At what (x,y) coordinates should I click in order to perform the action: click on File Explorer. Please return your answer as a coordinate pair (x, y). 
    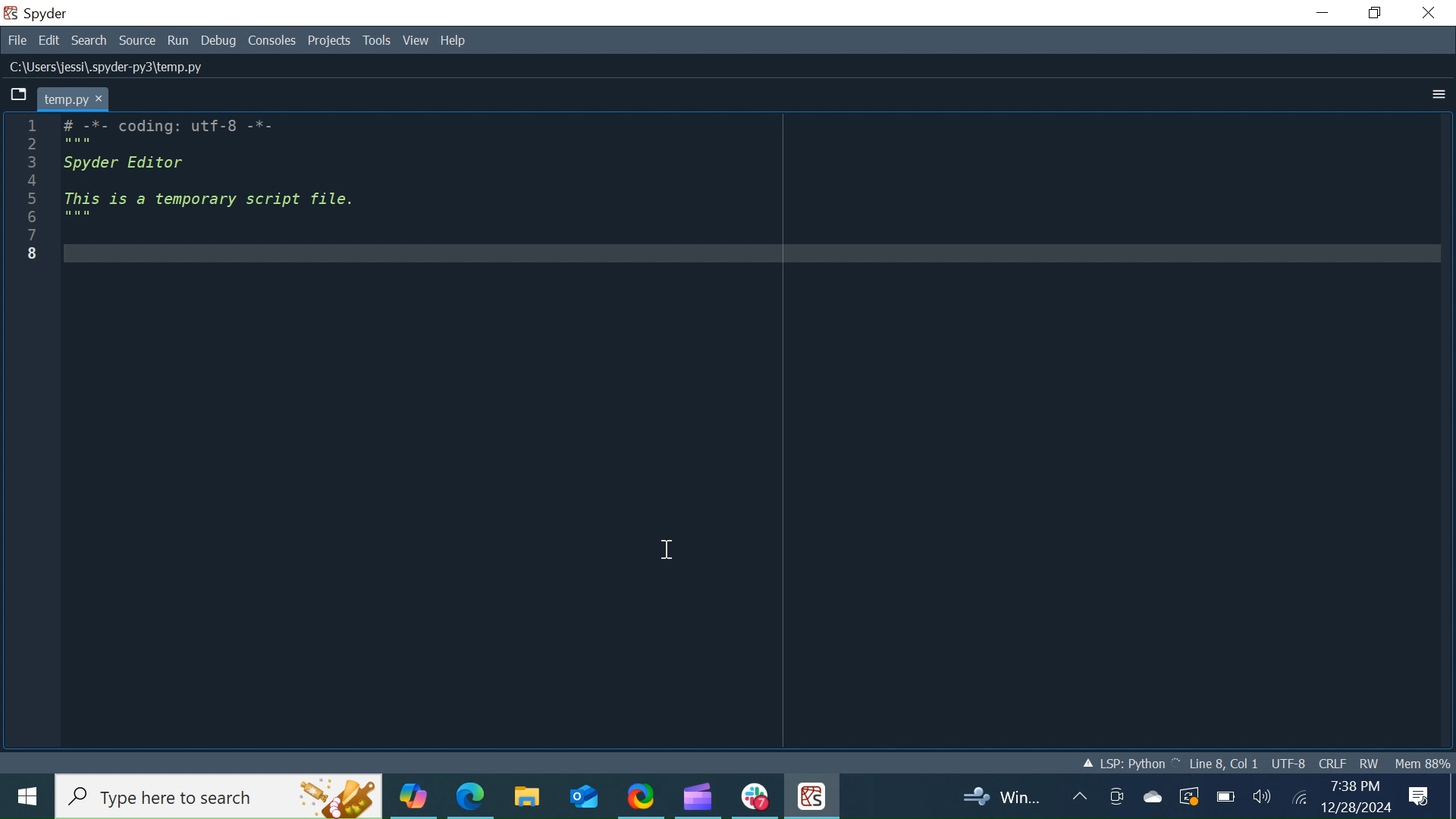
    Looking at the image, I should click on (526, 796).